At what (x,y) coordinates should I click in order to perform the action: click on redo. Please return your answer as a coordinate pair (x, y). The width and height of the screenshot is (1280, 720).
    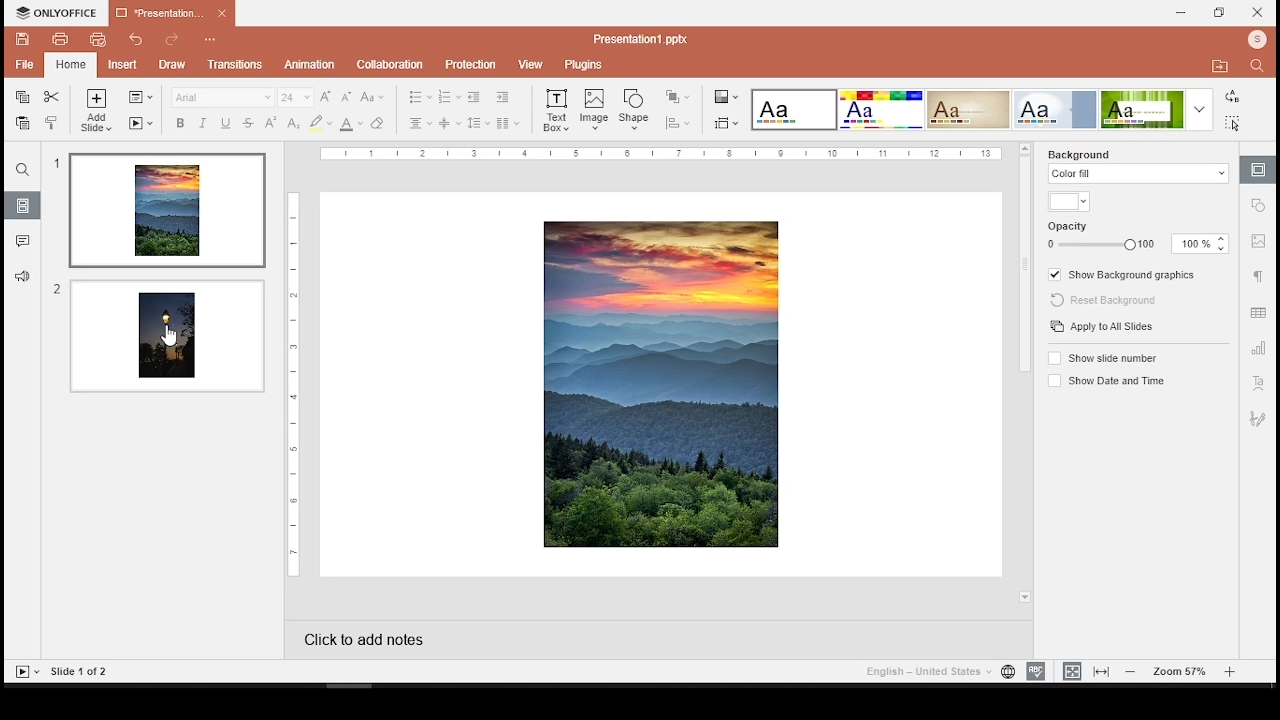
    Looking at the image, I should click on (170, 37).